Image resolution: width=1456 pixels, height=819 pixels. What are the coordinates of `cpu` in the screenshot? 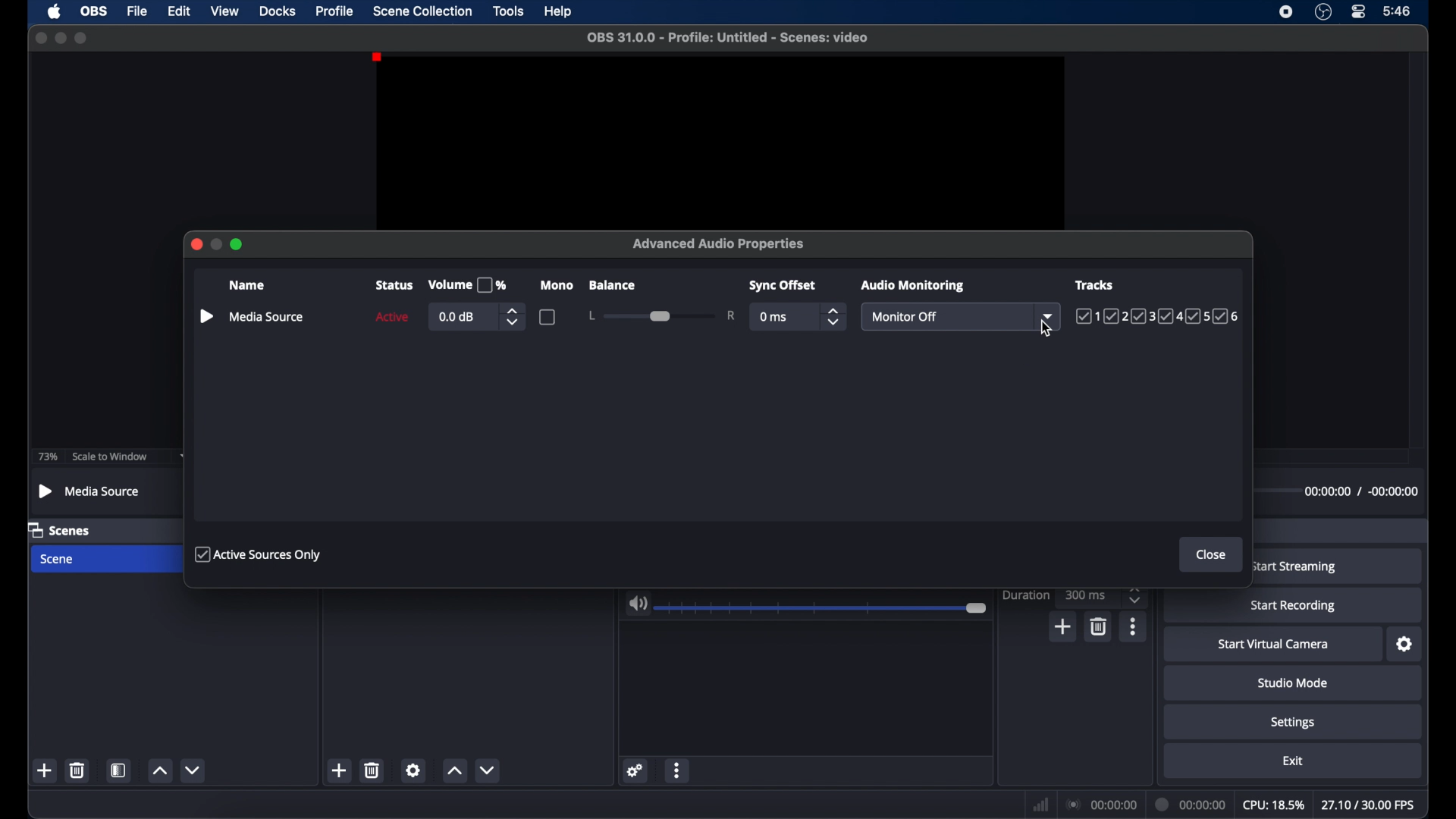 It's located at (1273, 805).